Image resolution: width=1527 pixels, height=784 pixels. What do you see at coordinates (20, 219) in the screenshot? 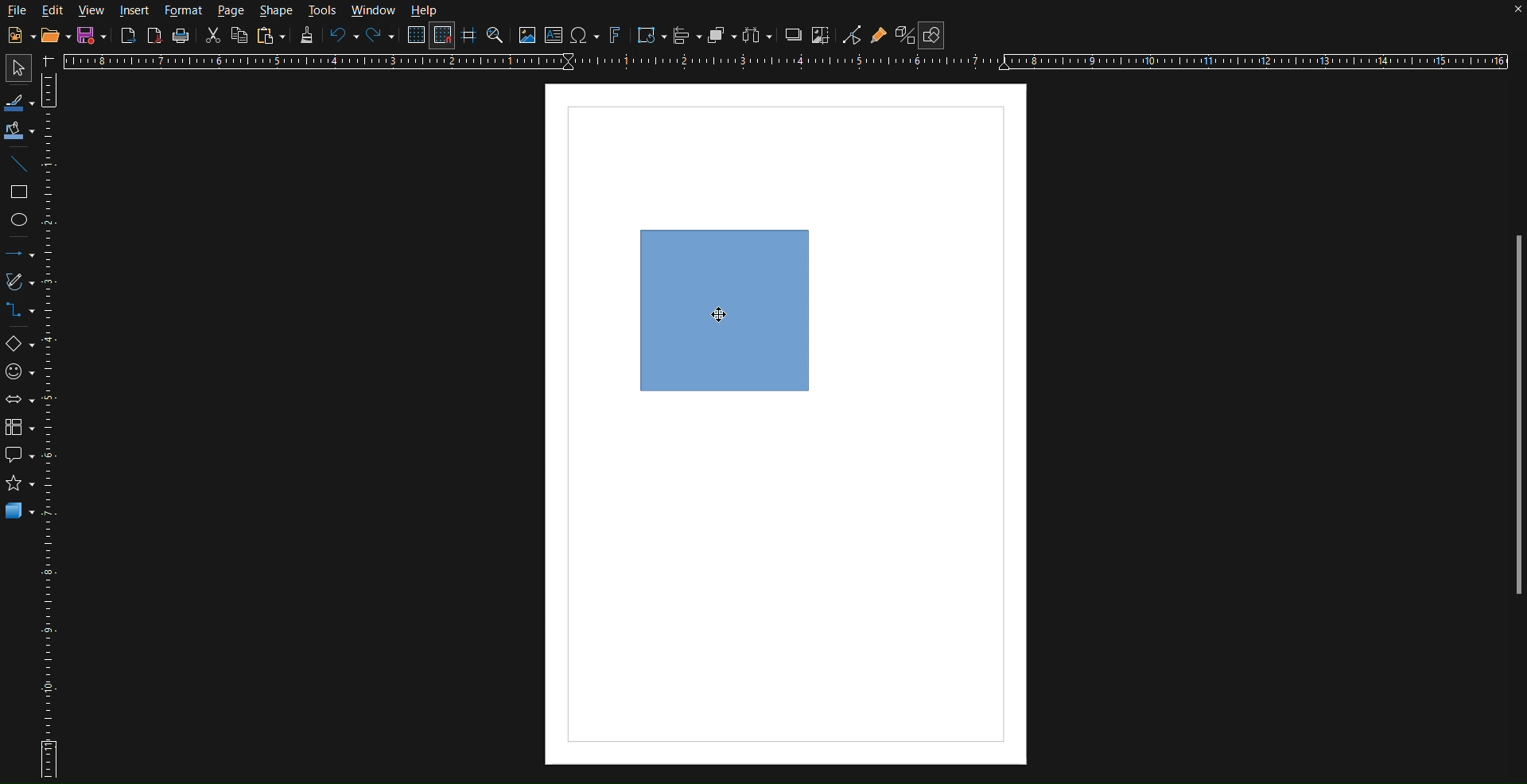
I see `Circle` at bounding box center [20, 219].